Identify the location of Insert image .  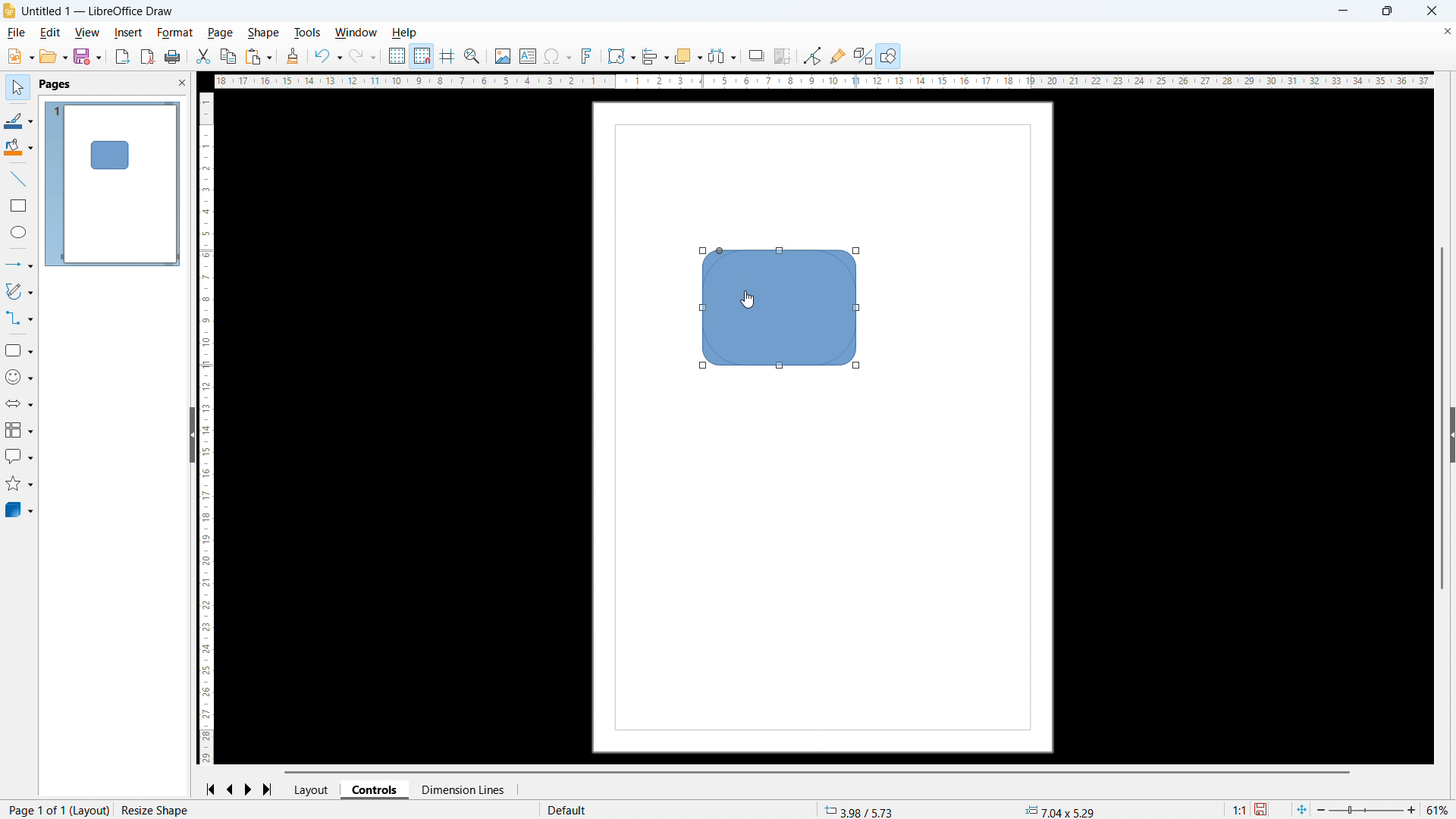
(502, 55).